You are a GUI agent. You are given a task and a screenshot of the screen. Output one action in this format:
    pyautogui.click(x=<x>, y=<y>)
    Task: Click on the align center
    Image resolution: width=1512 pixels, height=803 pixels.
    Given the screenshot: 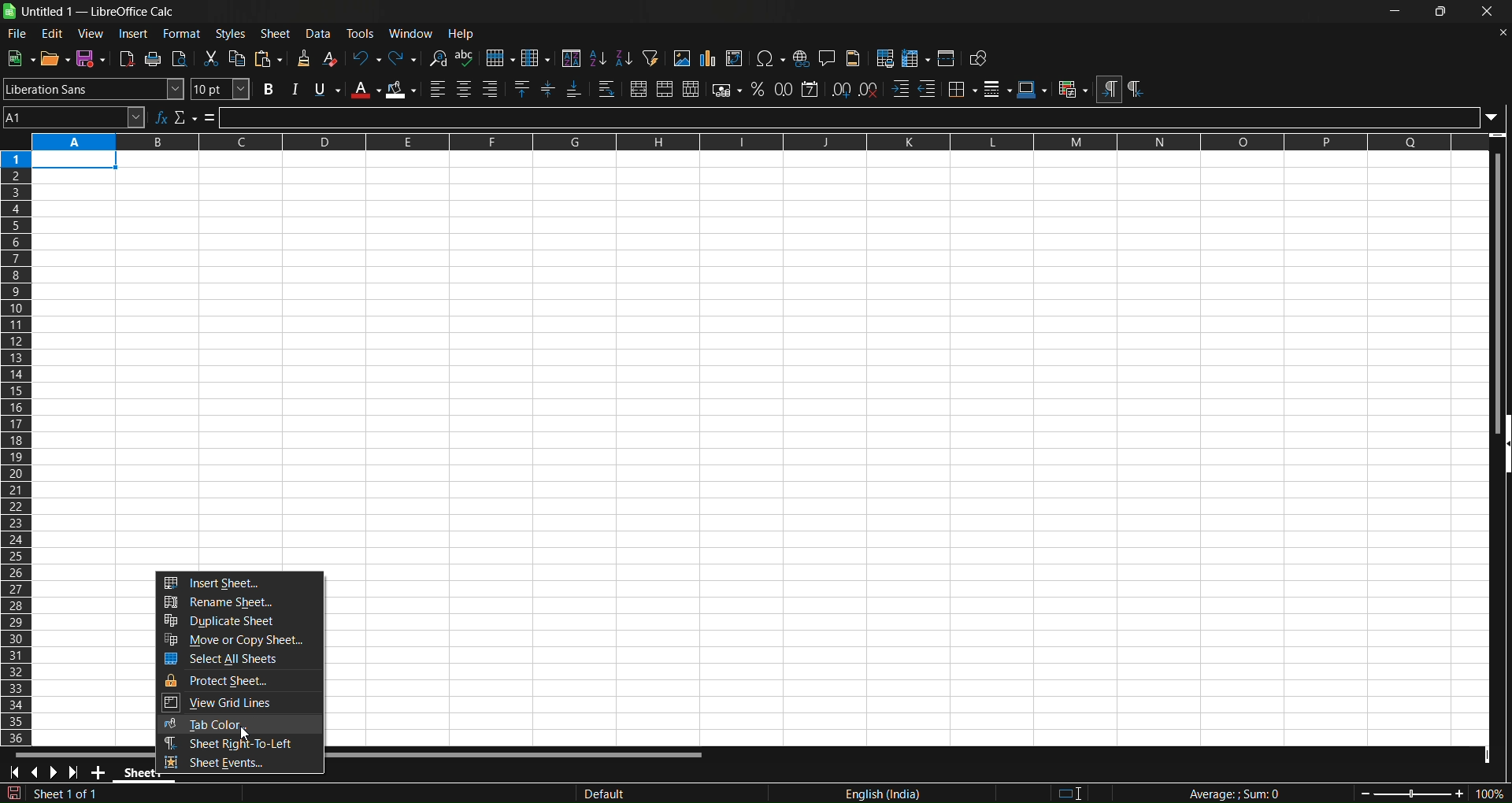 What is the action you would take?
    pyautogui.click(x=464, y=90)
    